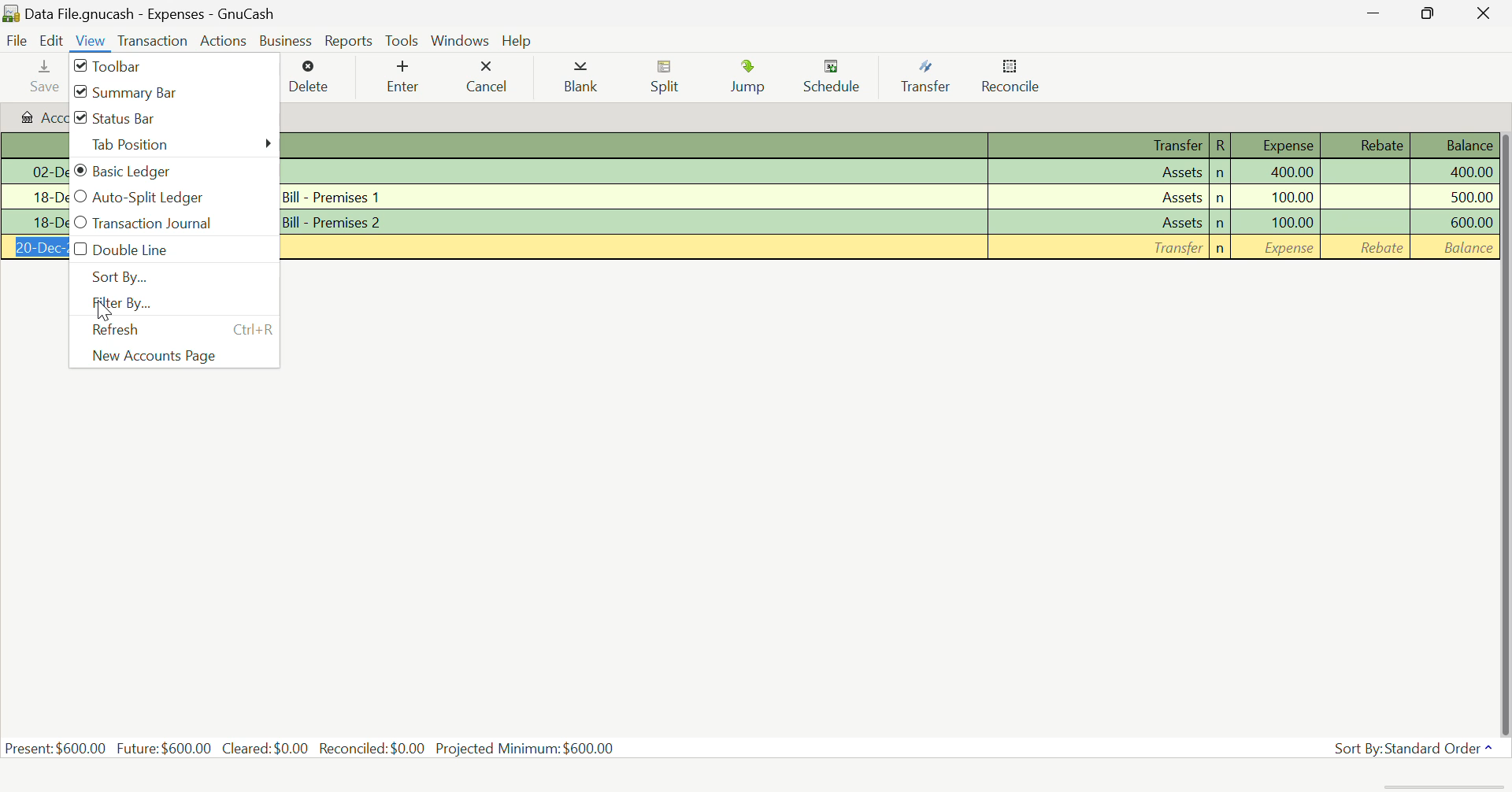  I want to click on Date, so click(33, 247).